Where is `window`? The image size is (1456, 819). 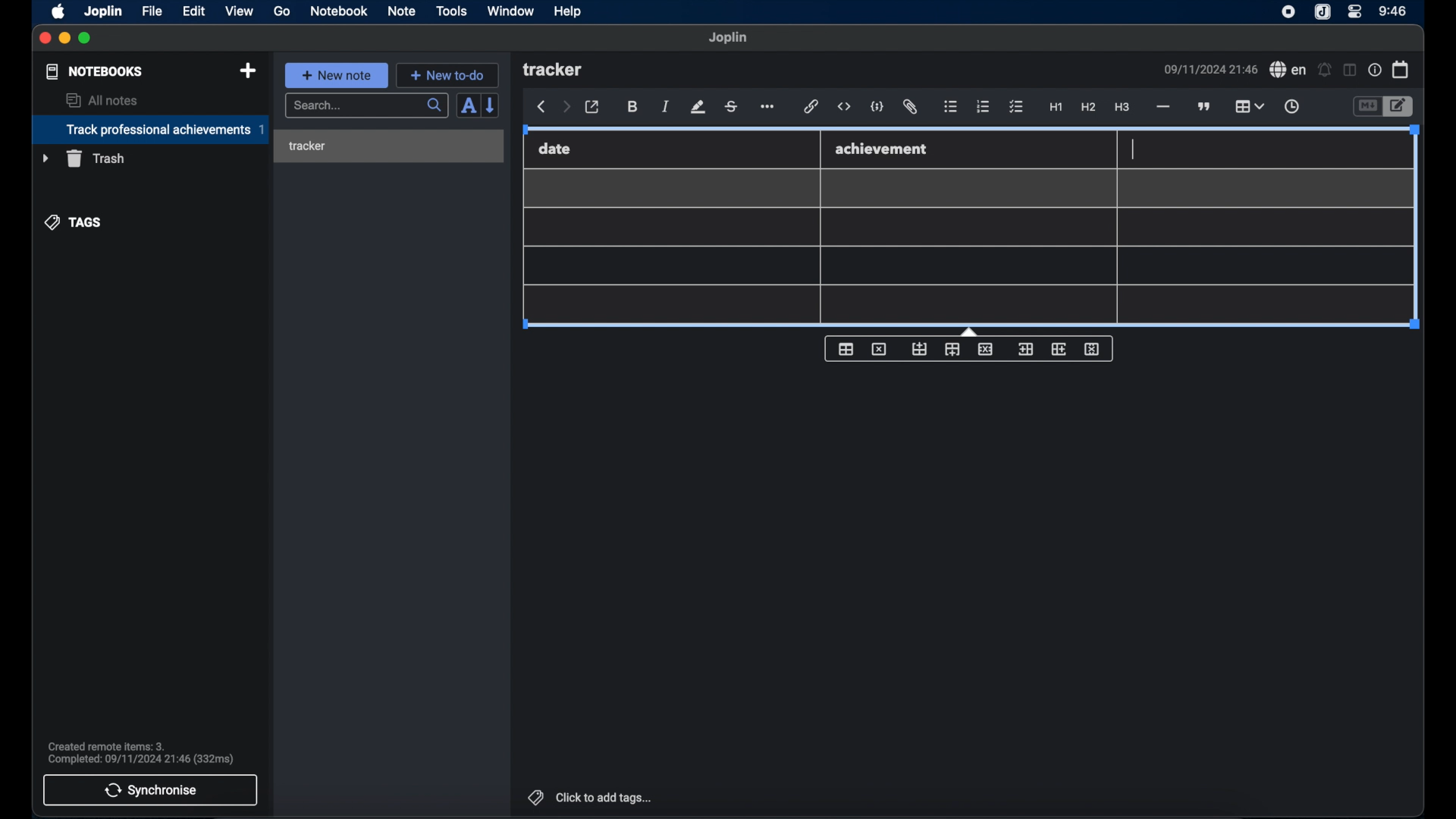 window is located at coordinates (510, 11).